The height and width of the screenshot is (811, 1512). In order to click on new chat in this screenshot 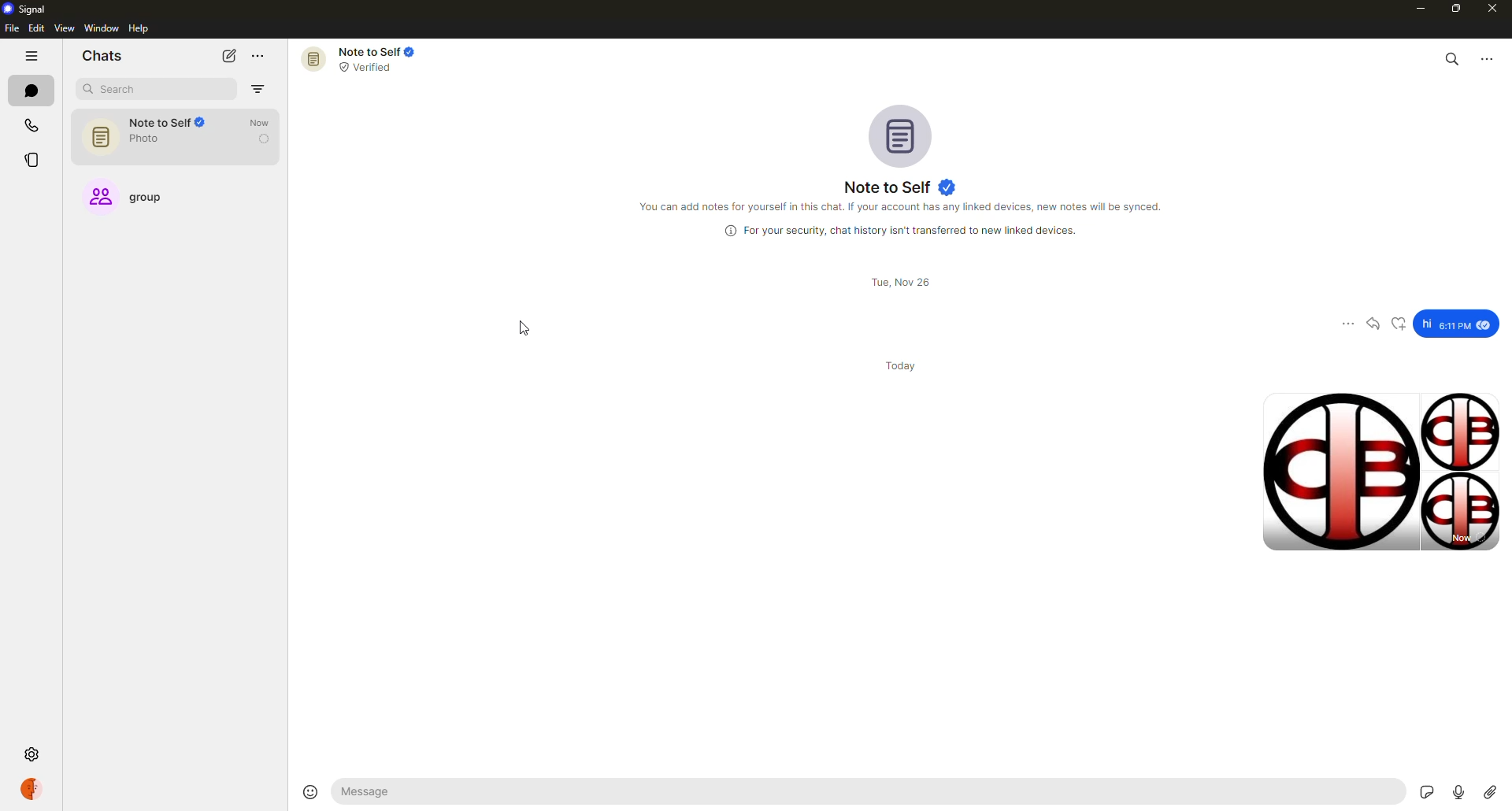, I will do `click(228, 56)`.